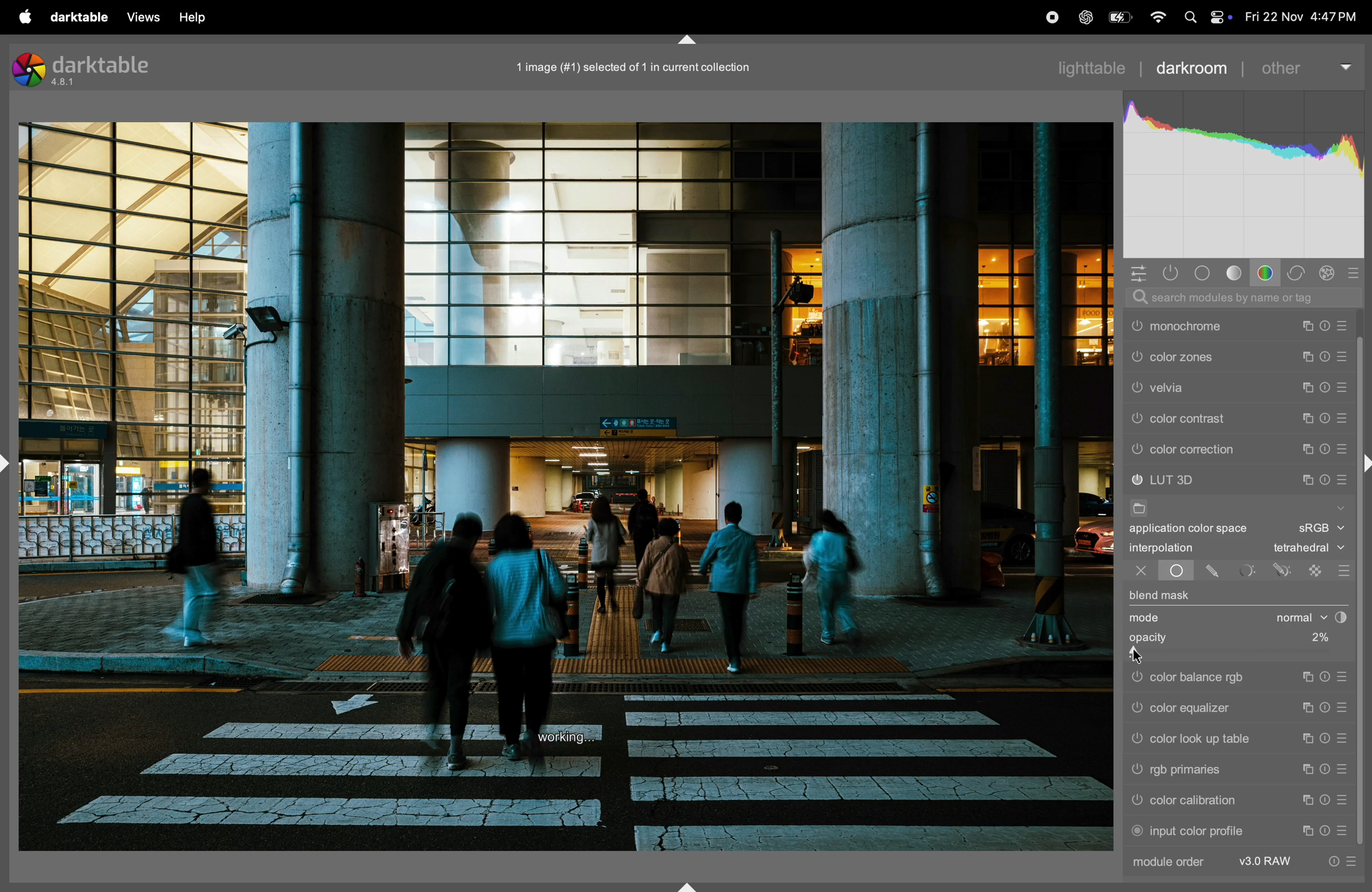  I want to click on presets, so click(1341, 800).